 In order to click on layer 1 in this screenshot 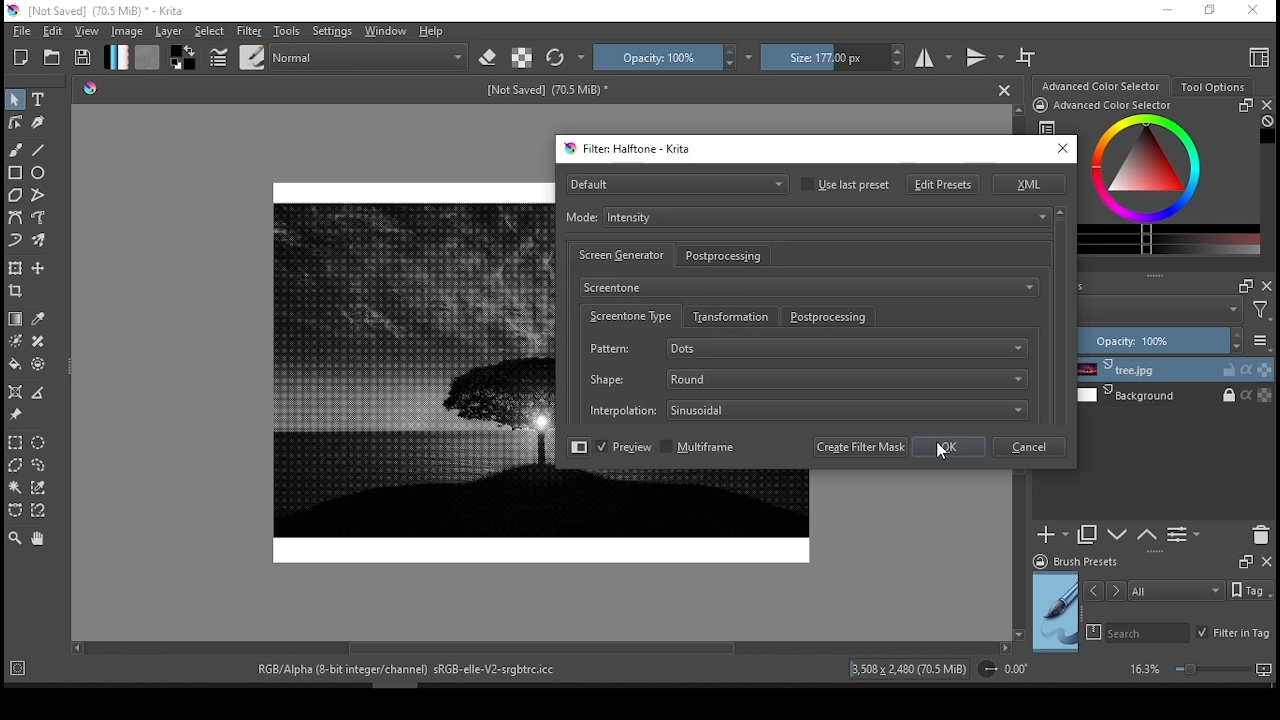, I will do `click(1182, 369)`.